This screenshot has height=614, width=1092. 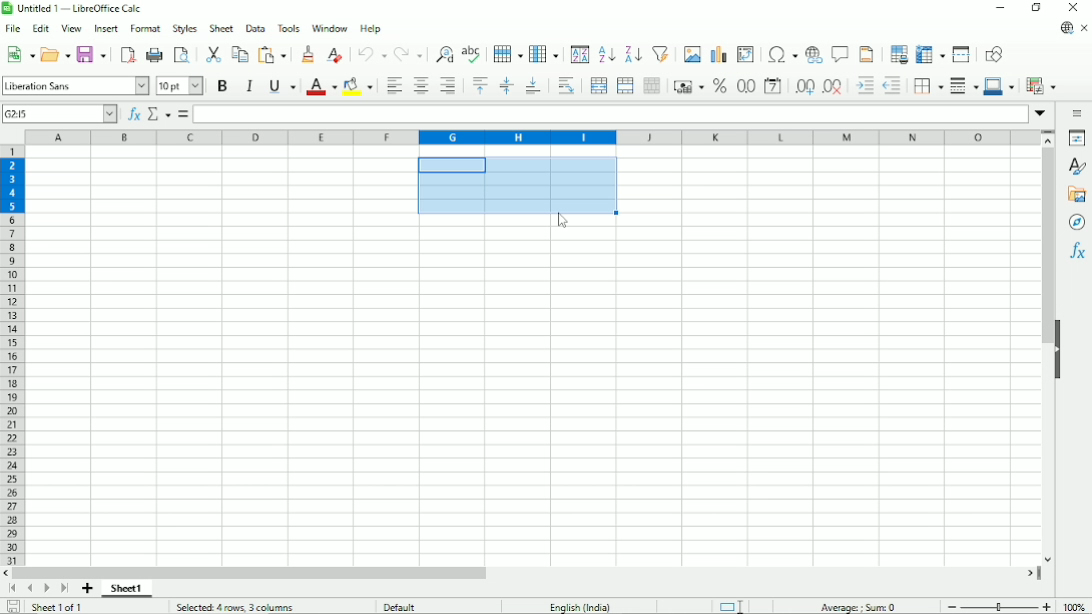 What do you see at coordinates (212, 53) in the screenshot?
I see `Cut` at bounding box center [212, 53].